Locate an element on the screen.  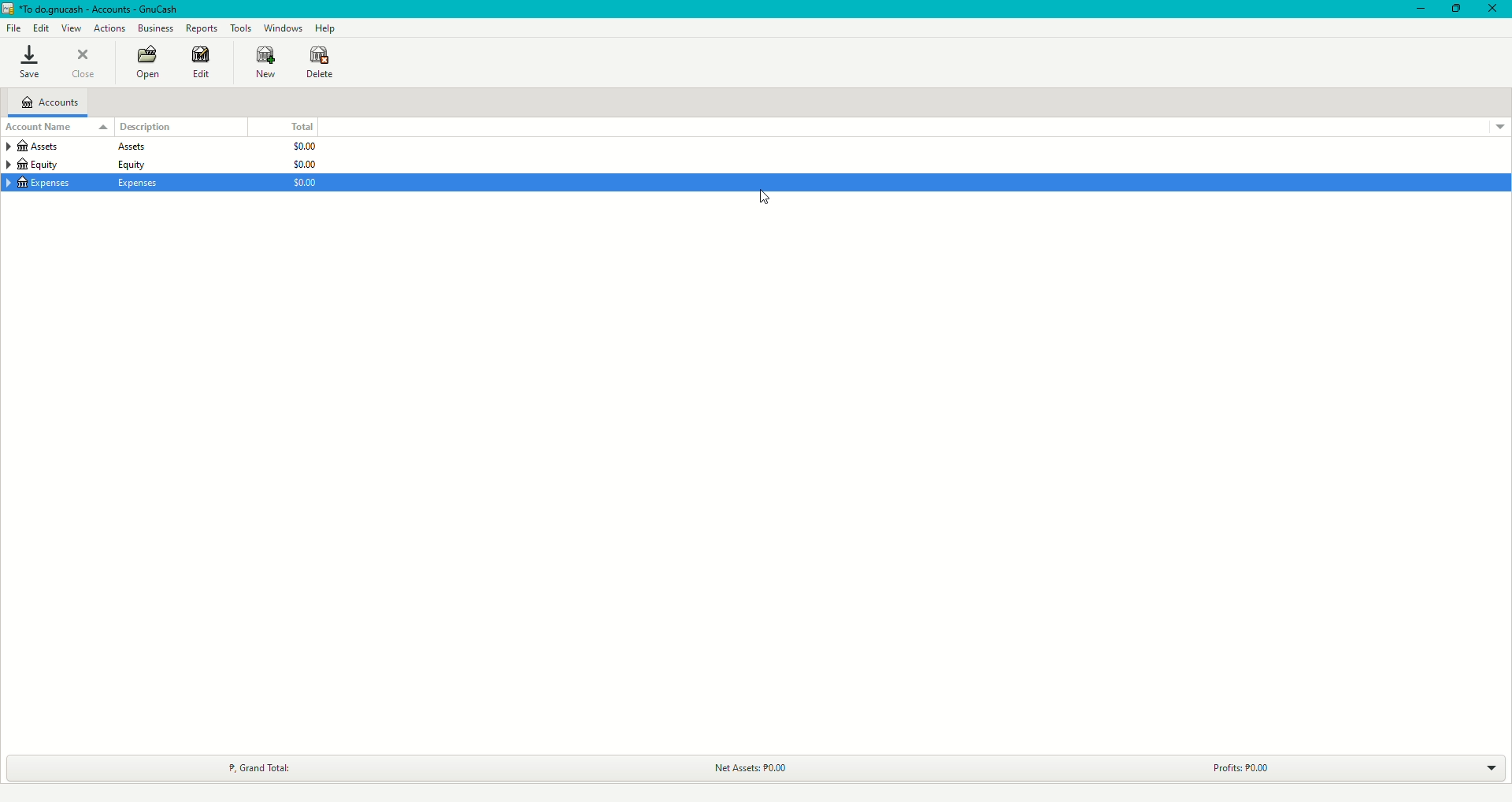
Account Name is located at coordinates (56, 128).